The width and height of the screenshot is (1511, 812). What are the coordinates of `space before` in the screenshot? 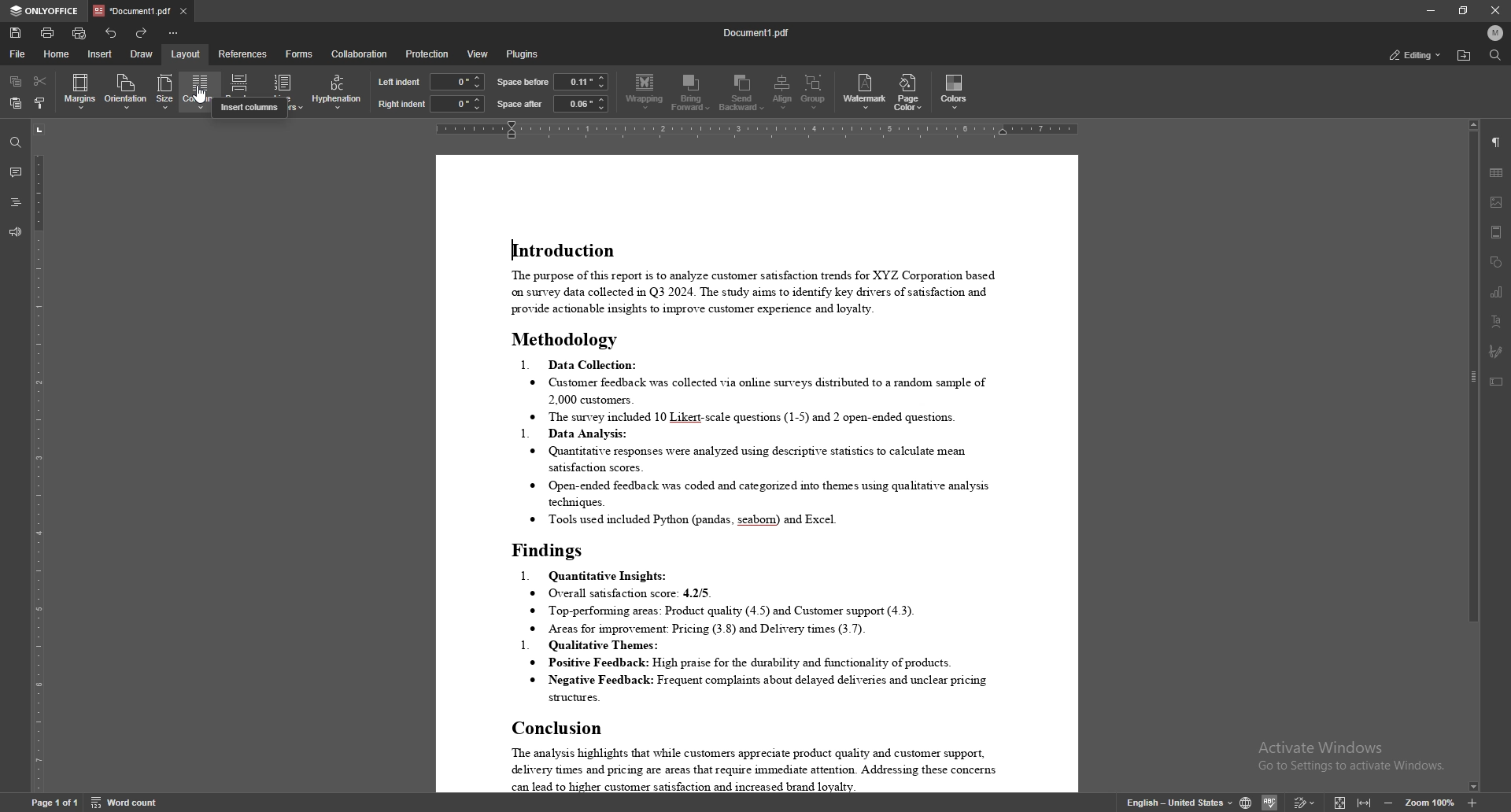 It's located at (524, 82).